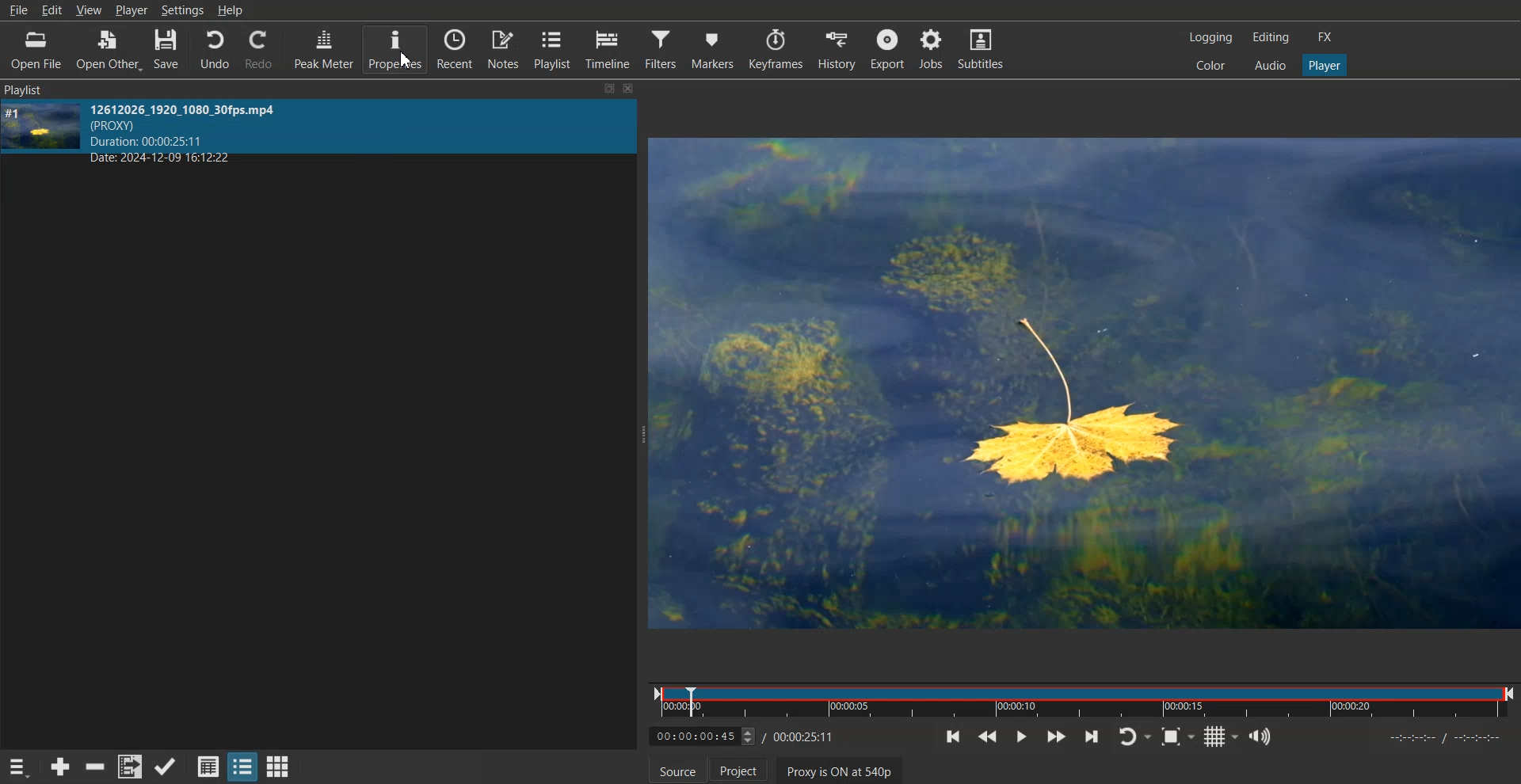  I want to click on Preview, so click(1084, 385).